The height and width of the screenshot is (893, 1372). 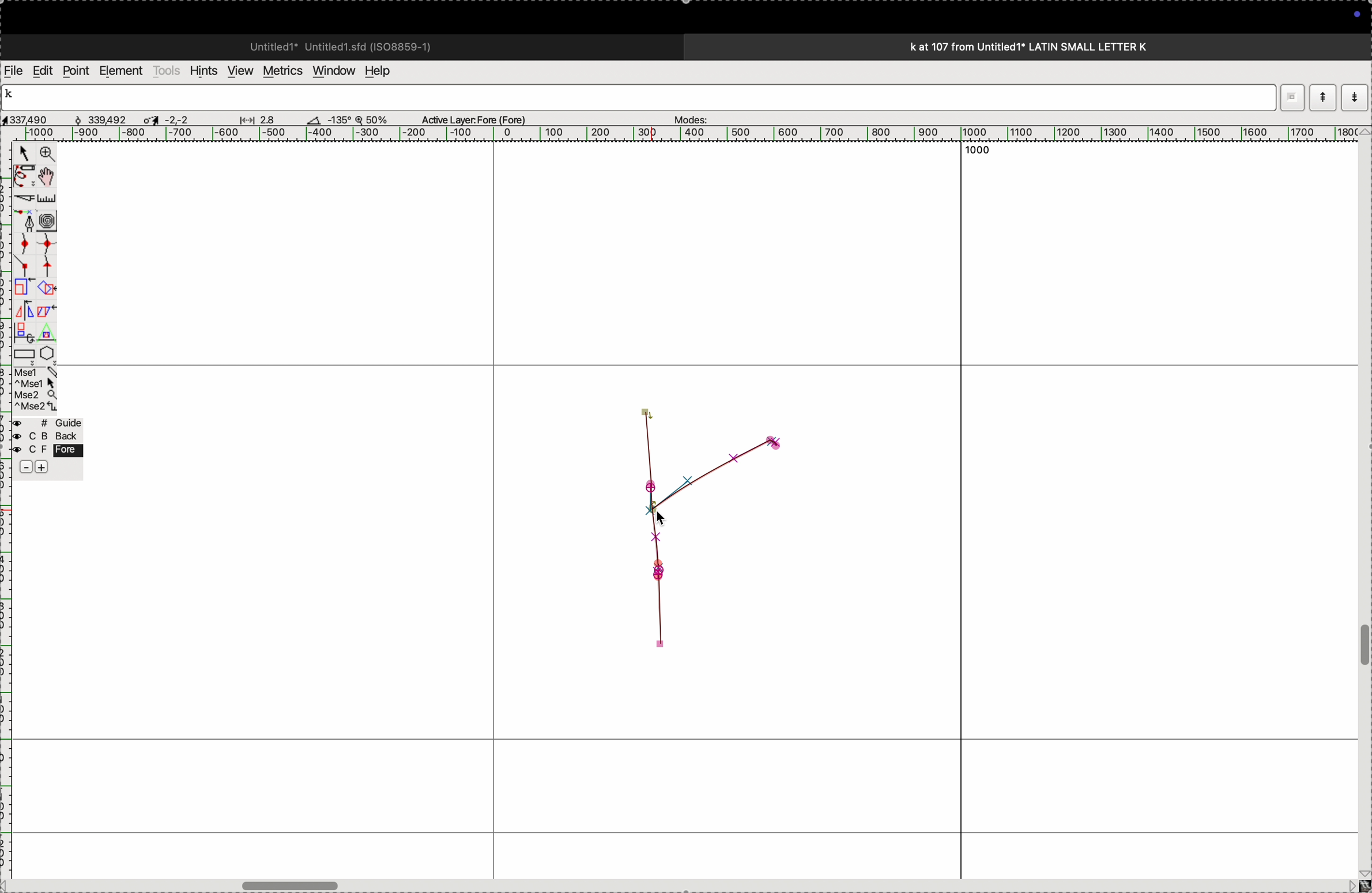 I want to click on hints, so click(x=201, y=70).